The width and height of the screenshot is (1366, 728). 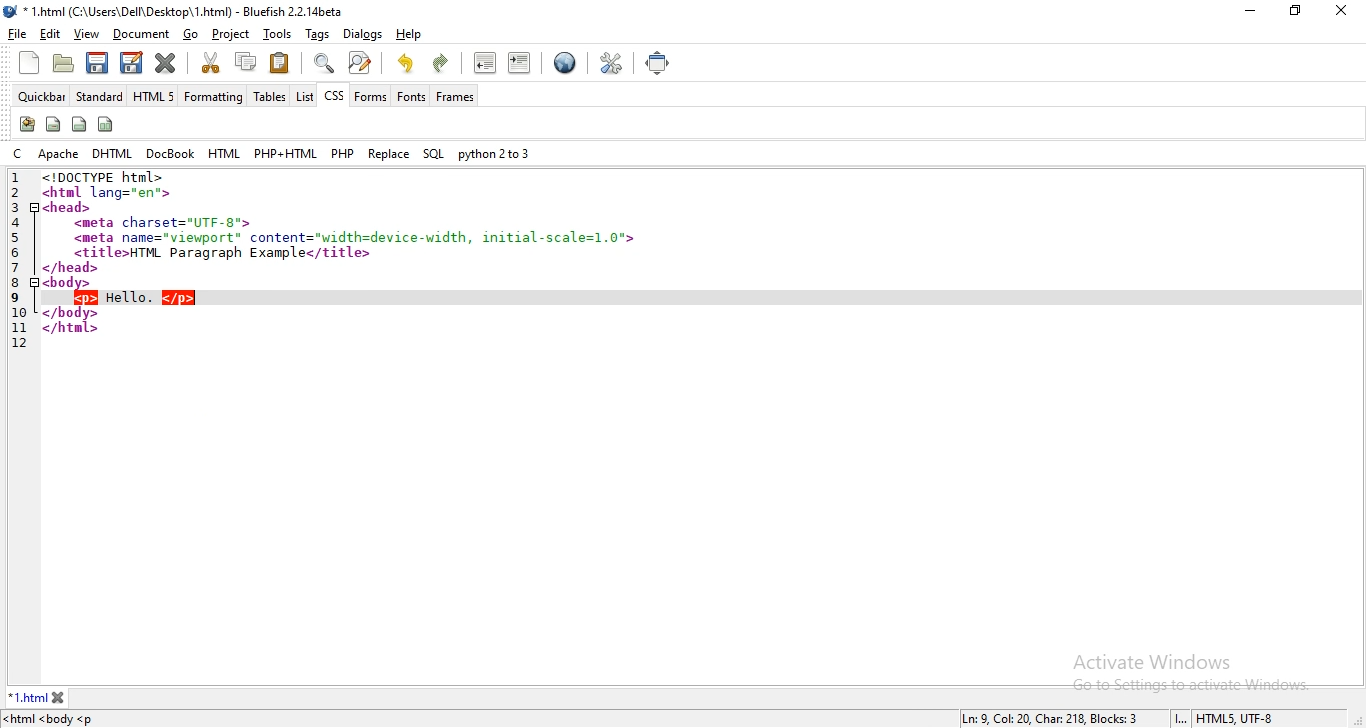 What do you see at coordinates (166, 64) in the screenshot?
I see `close current file` at bounding box center [166, 64].